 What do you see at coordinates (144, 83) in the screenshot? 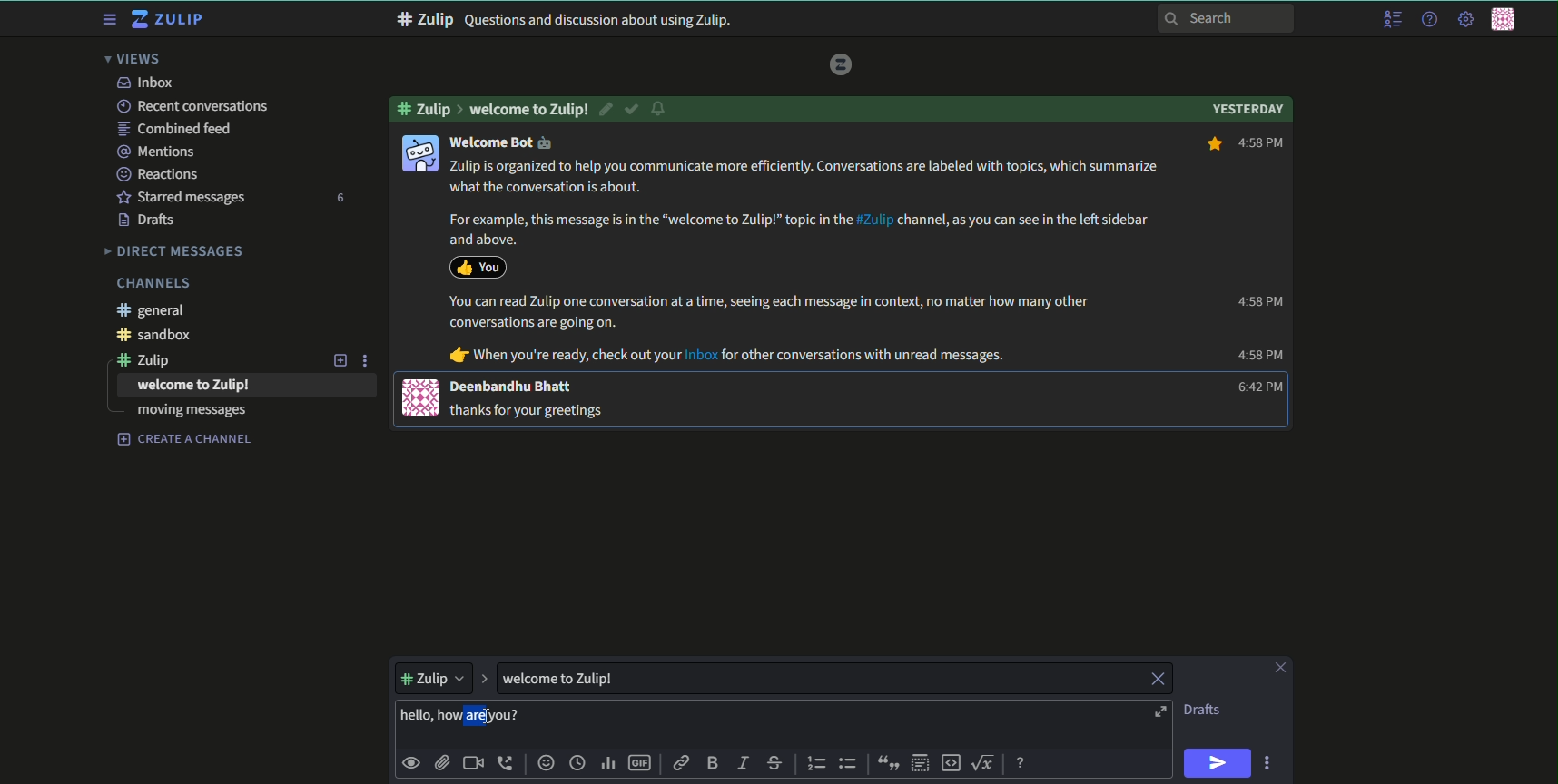
I see `inbox` at bounding box center [144, 83].